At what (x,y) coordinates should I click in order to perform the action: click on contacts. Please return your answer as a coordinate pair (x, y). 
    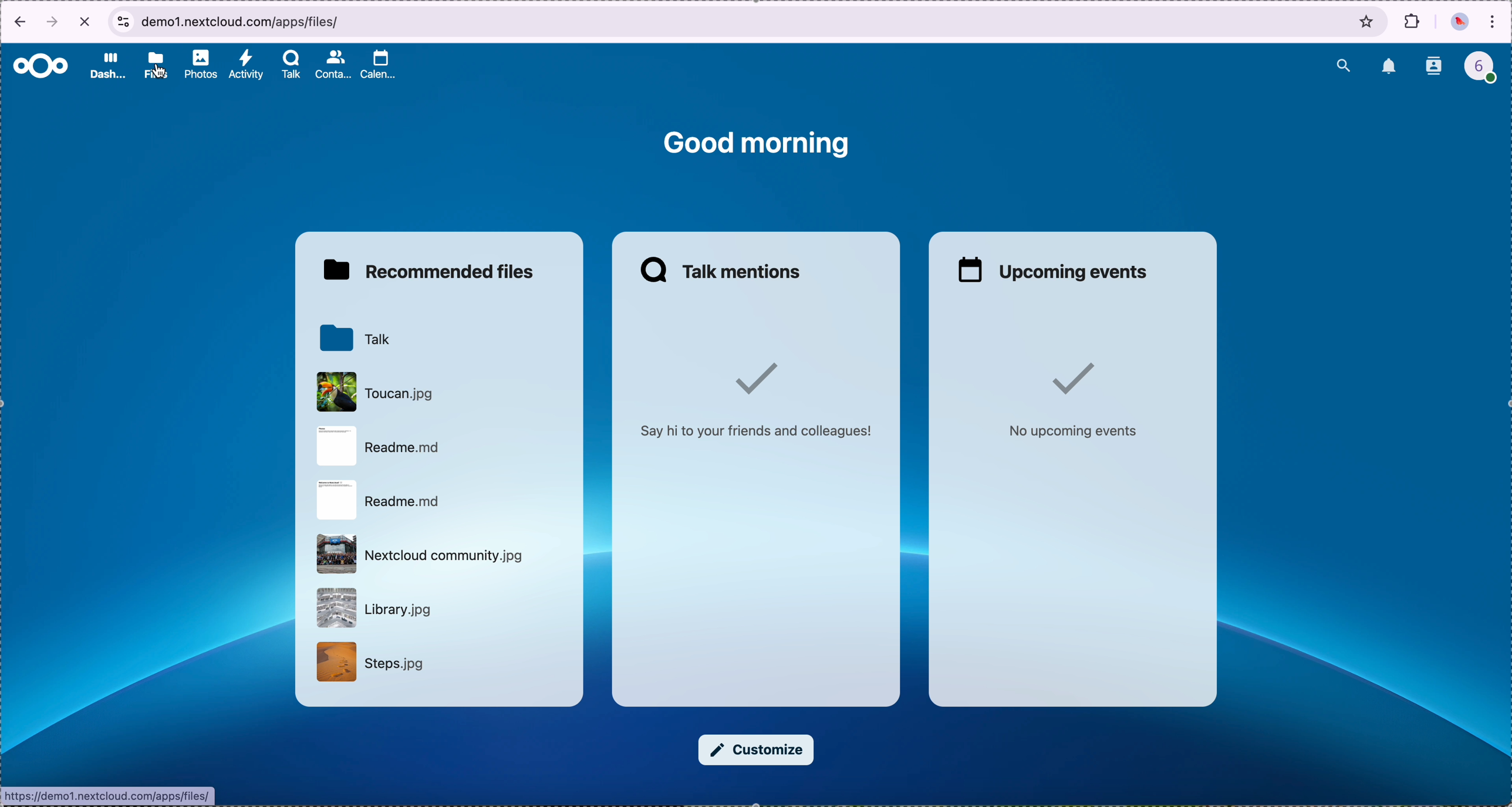
    Looking at the image, I should click on (335, 65).